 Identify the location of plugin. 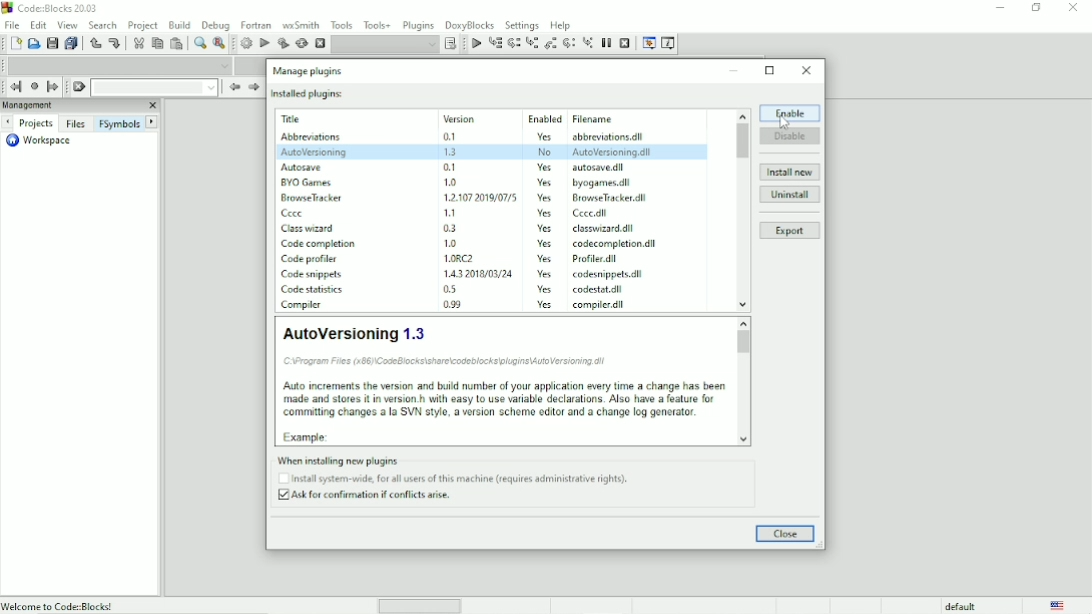
(306, 181).